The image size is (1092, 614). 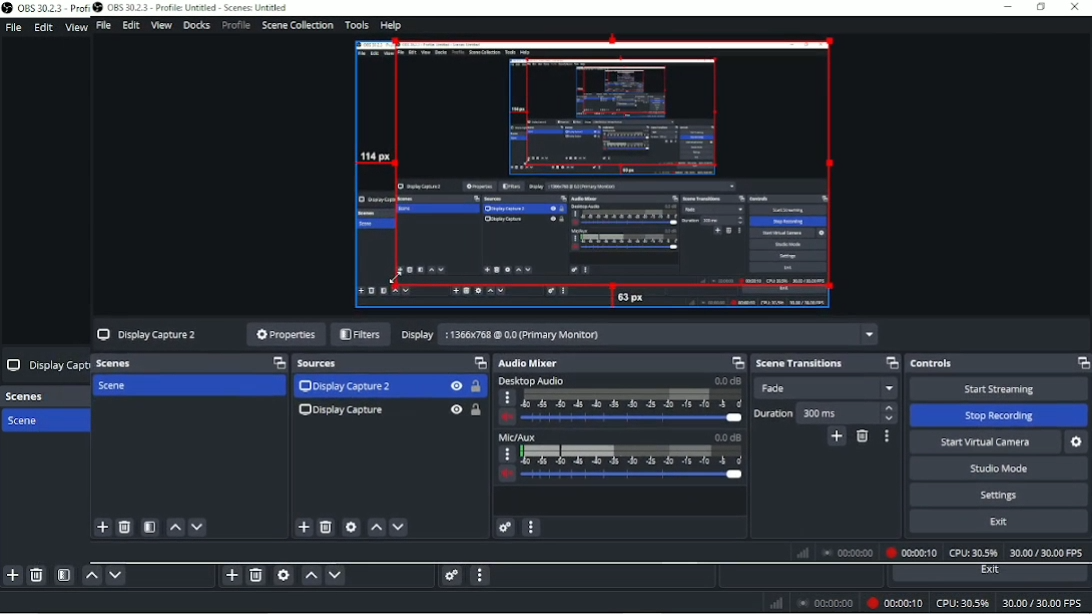 I want to click on Display Capt, so click(x=45, y=365).